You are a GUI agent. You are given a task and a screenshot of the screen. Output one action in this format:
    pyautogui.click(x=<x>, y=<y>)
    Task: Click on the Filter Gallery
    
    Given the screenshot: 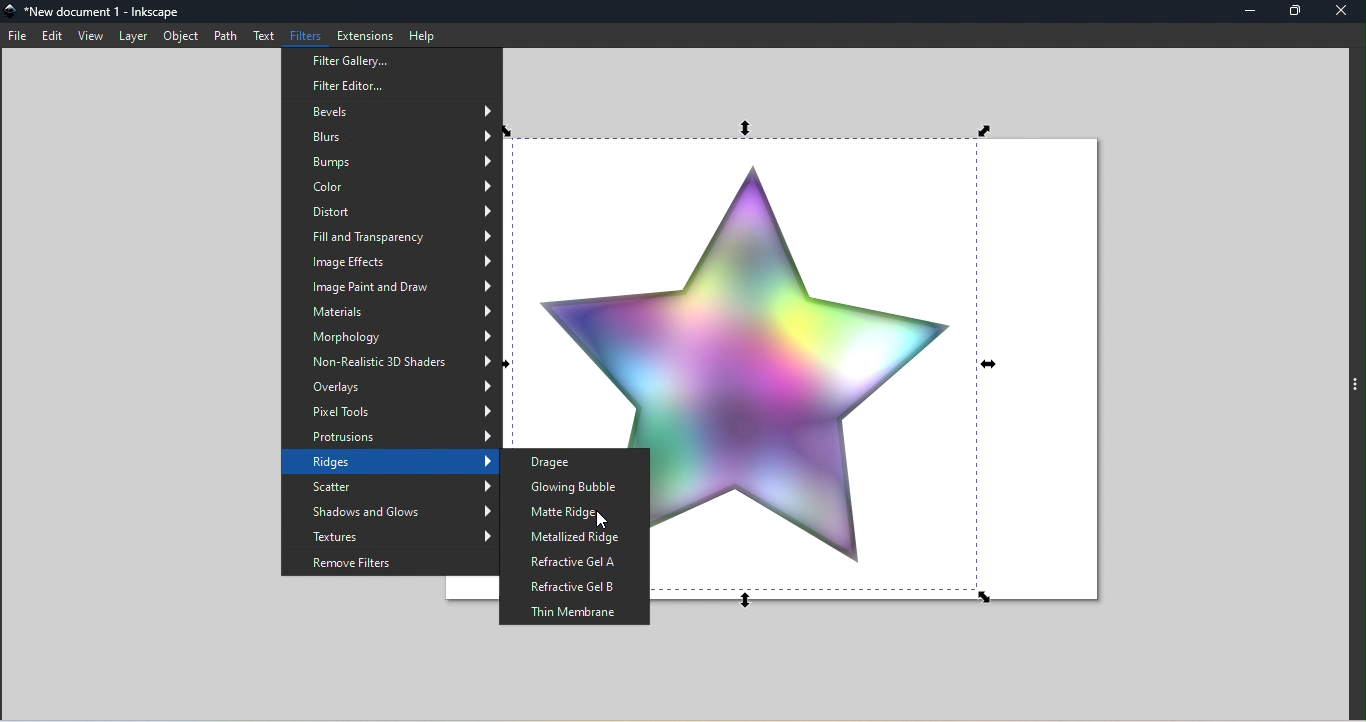 What is the action you would take?
    pyautogui.click(x=392, y=60)
    